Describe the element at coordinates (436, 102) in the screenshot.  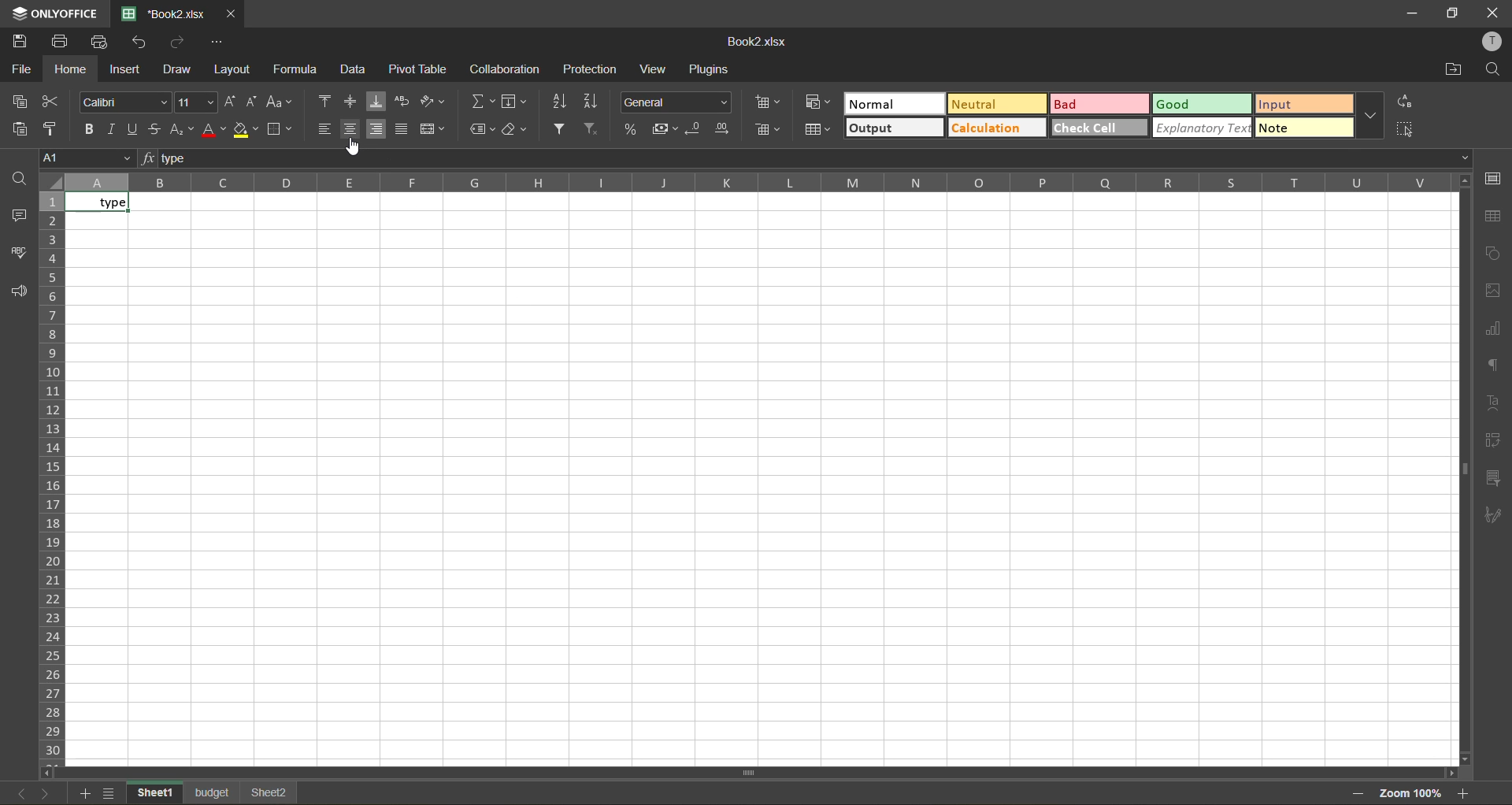
I see `orientation` at that location.